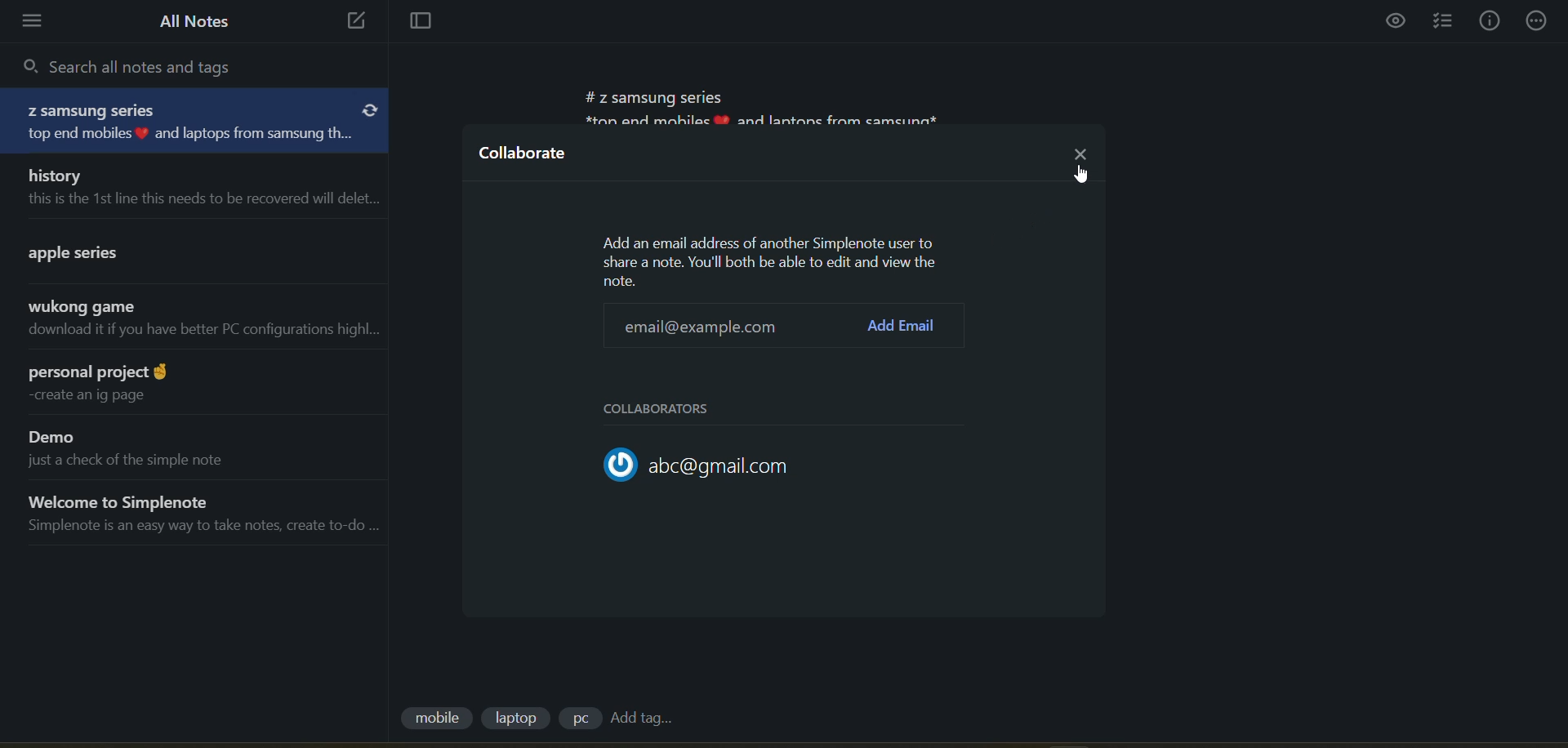 The image size is (1568, 748). What do you see at coordinates (351, 22) in the screenshot?
I see `new note` at bounding box center [351, 22].